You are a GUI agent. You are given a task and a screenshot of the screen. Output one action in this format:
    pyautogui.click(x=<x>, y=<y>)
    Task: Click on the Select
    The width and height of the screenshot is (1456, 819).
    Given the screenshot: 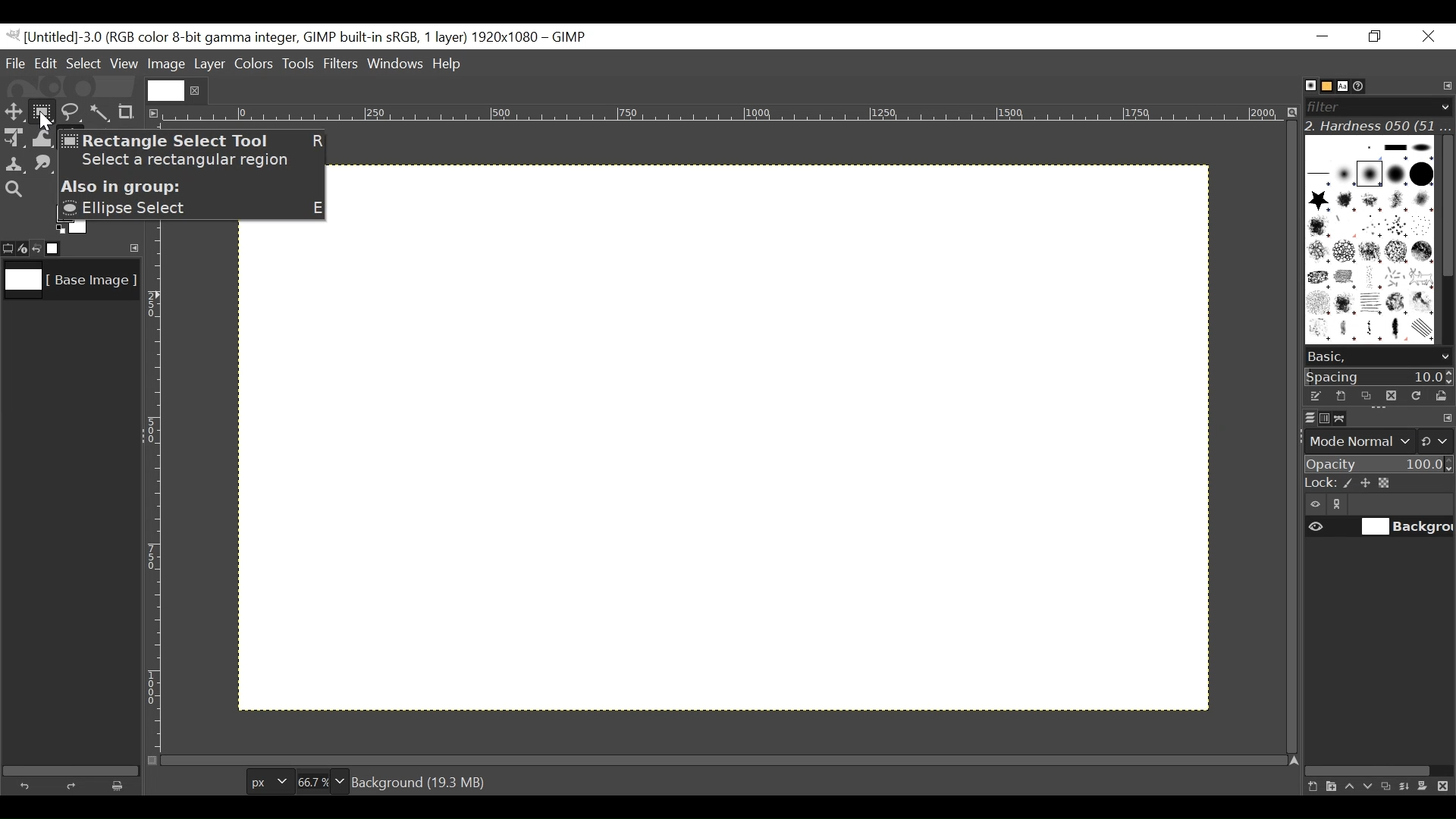 What is the action you would take?
    pyautogui.click(x=84, y=63)
    